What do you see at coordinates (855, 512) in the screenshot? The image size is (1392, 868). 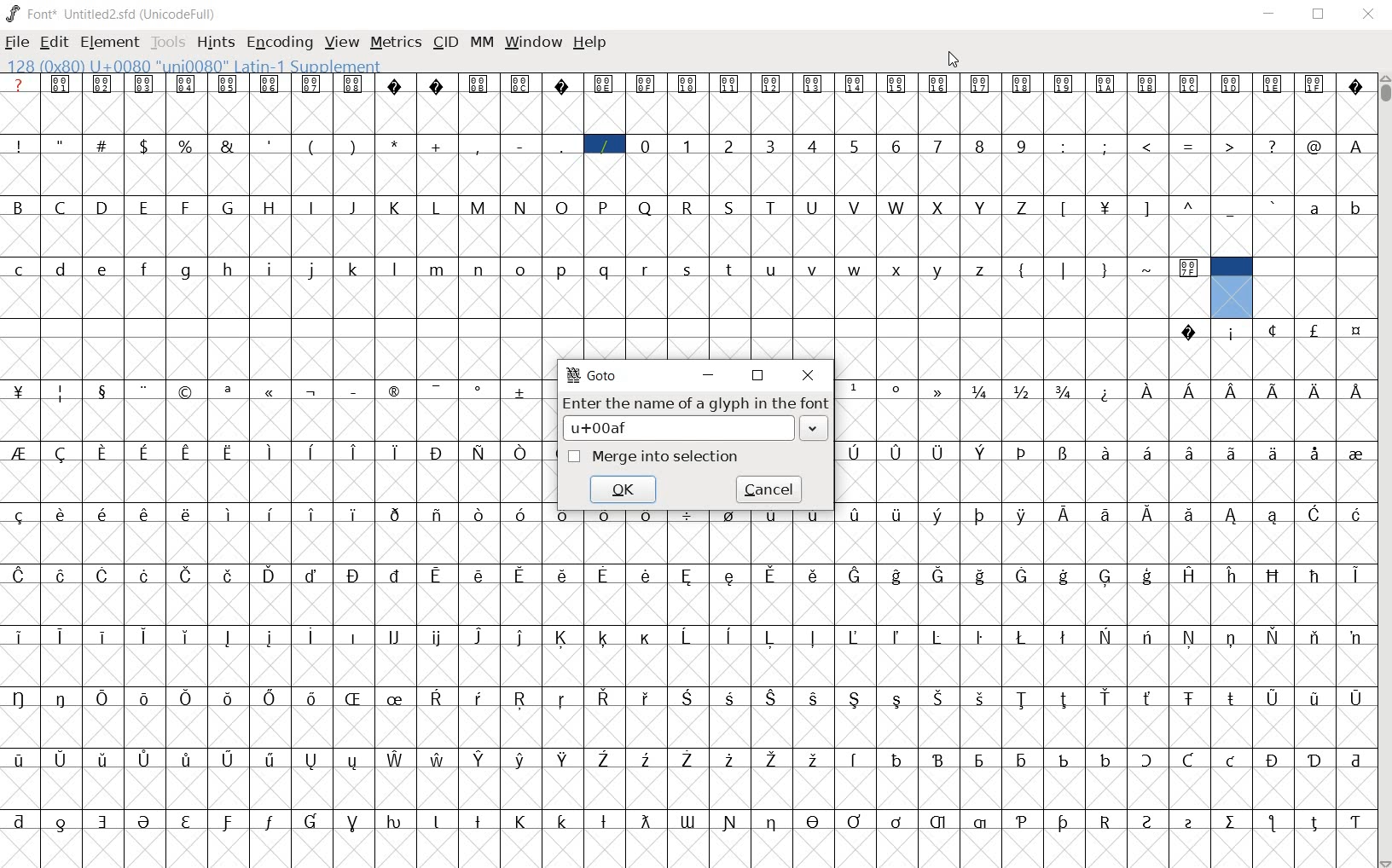 I see `Symbol` at bounding box center [855, 512].